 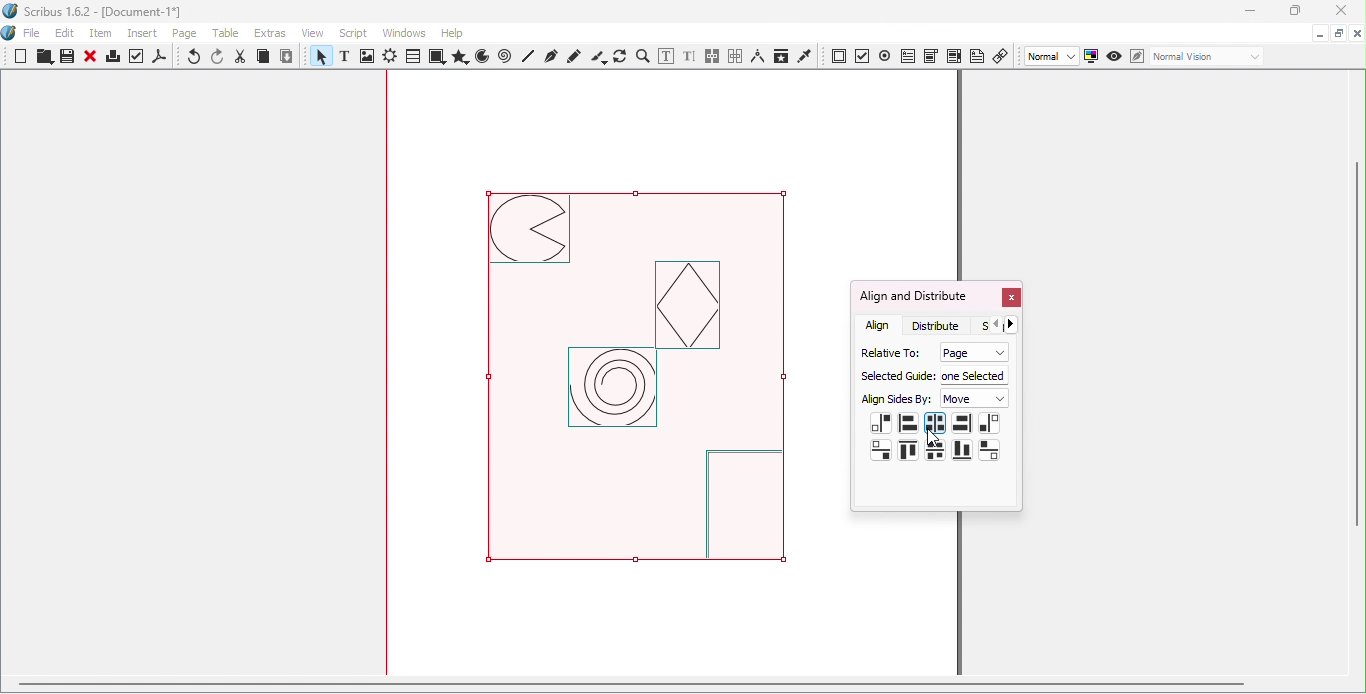 I want to click on Extras, so click(x=273, y=33).